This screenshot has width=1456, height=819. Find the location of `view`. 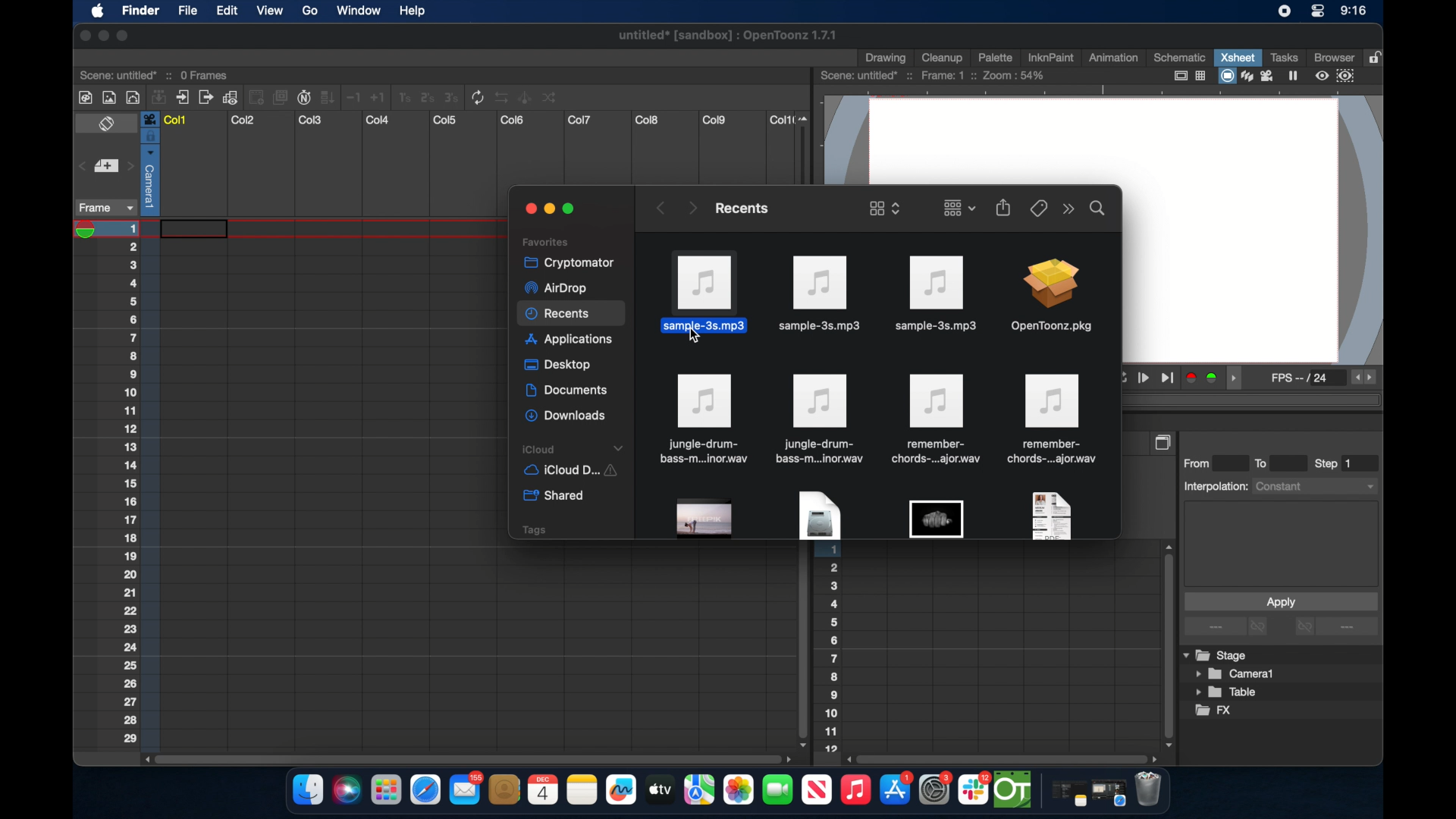

view is located at coordinates (268, 11).